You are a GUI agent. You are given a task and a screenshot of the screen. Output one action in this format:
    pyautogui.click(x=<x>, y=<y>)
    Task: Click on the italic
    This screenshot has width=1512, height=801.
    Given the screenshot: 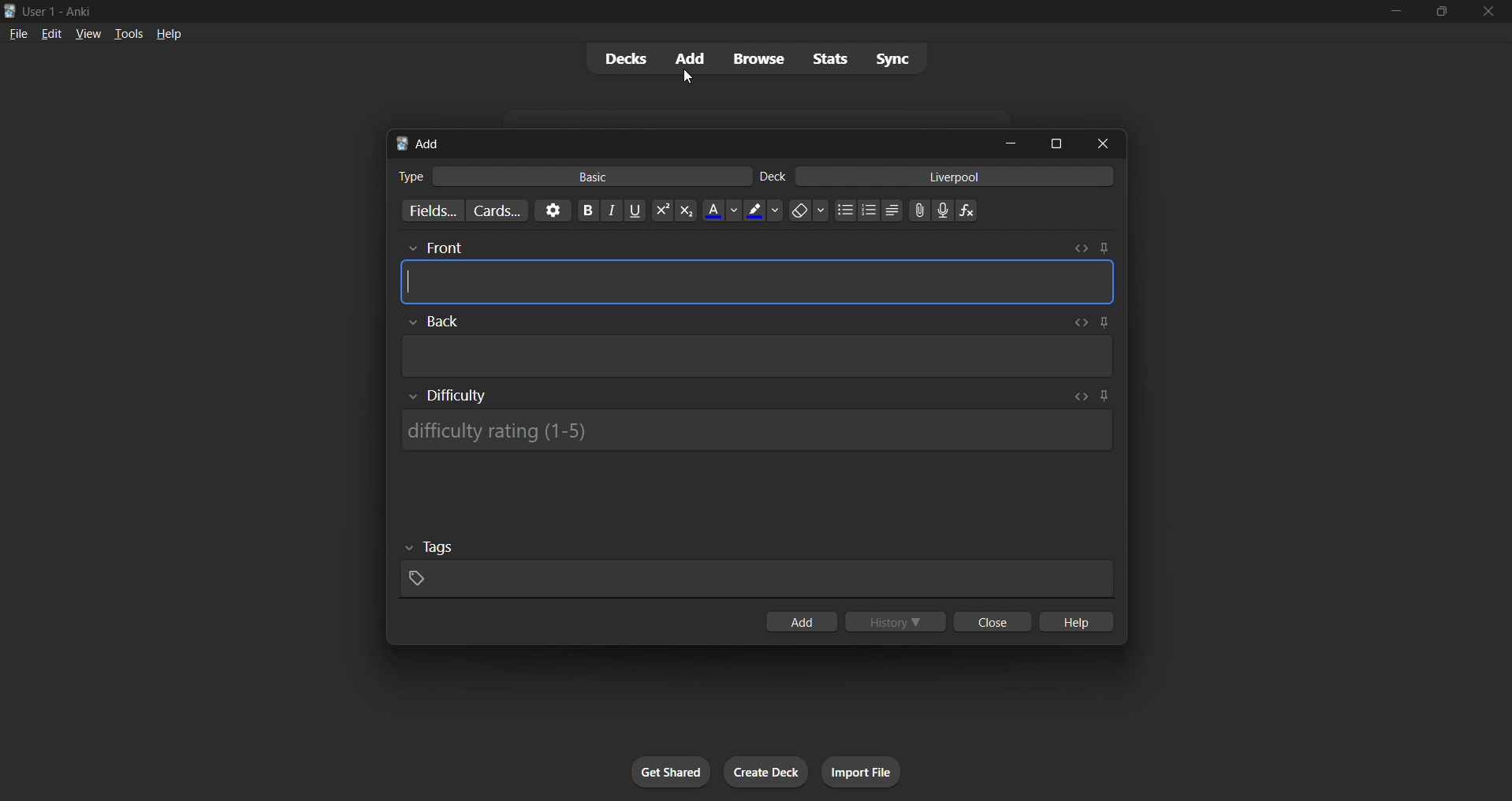 What is the action you would take?
    pyautogui.click(x=613, y=212)
    